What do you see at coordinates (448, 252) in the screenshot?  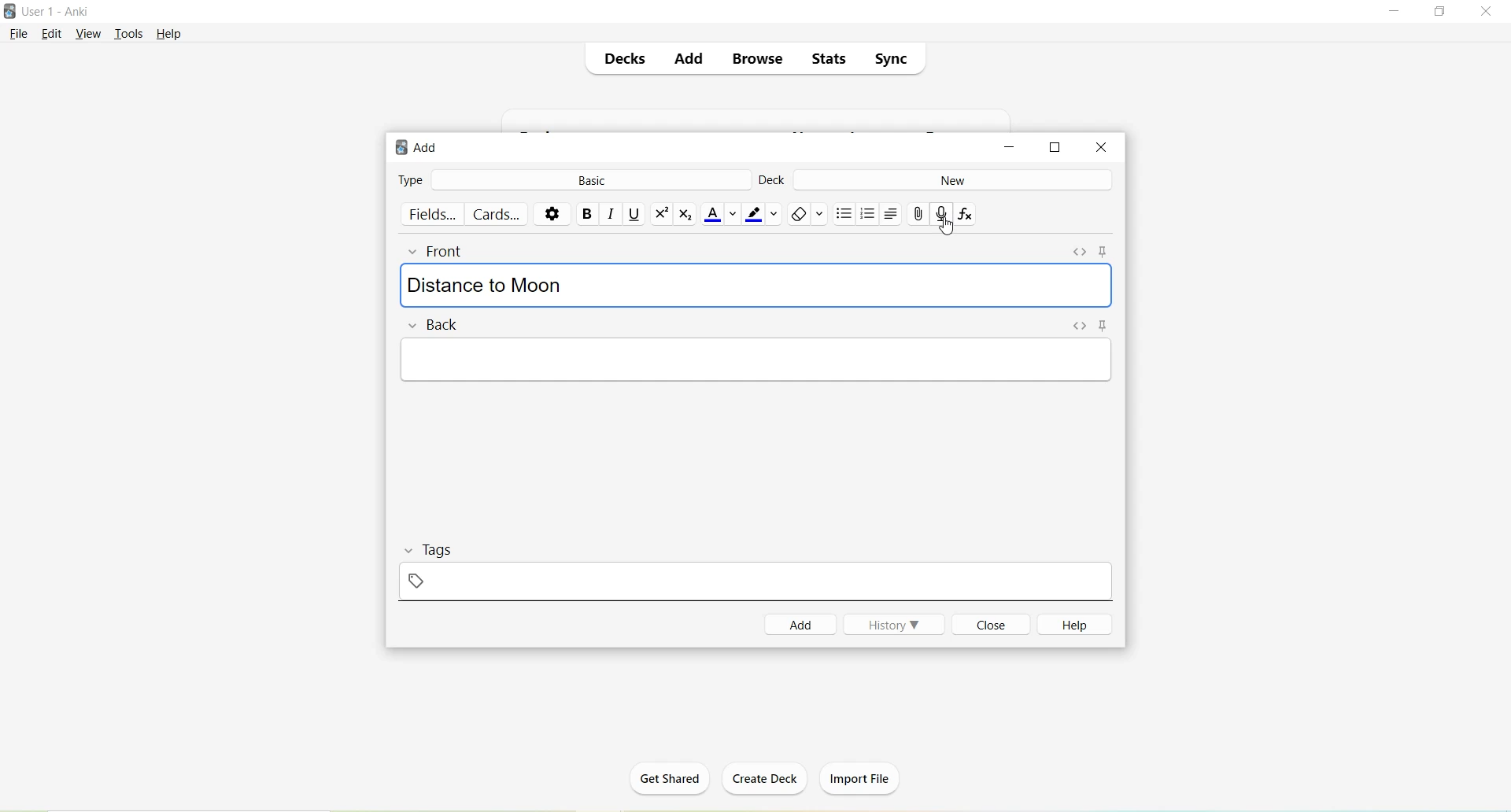 I see `Front` at bounding box center [448, 252].